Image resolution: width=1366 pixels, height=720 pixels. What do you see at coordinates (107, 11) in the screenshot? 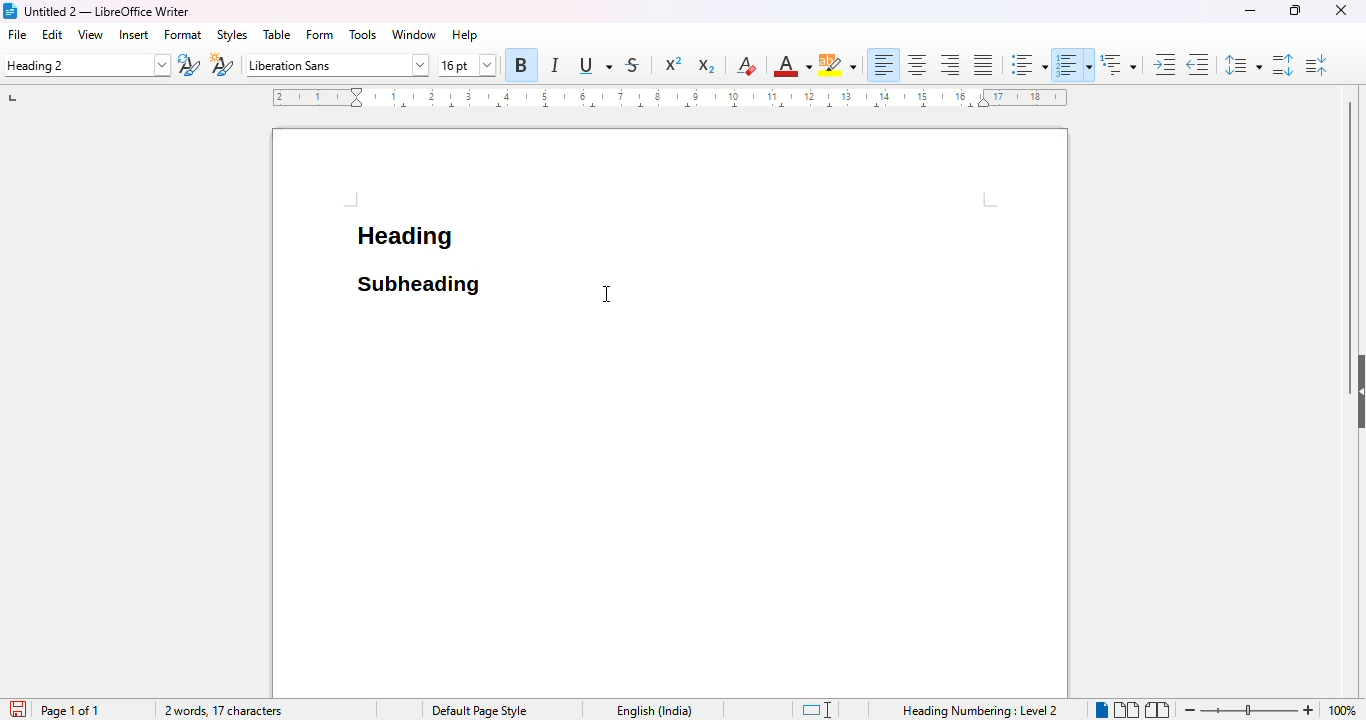
I see `title` at bounding box center [107, 11].